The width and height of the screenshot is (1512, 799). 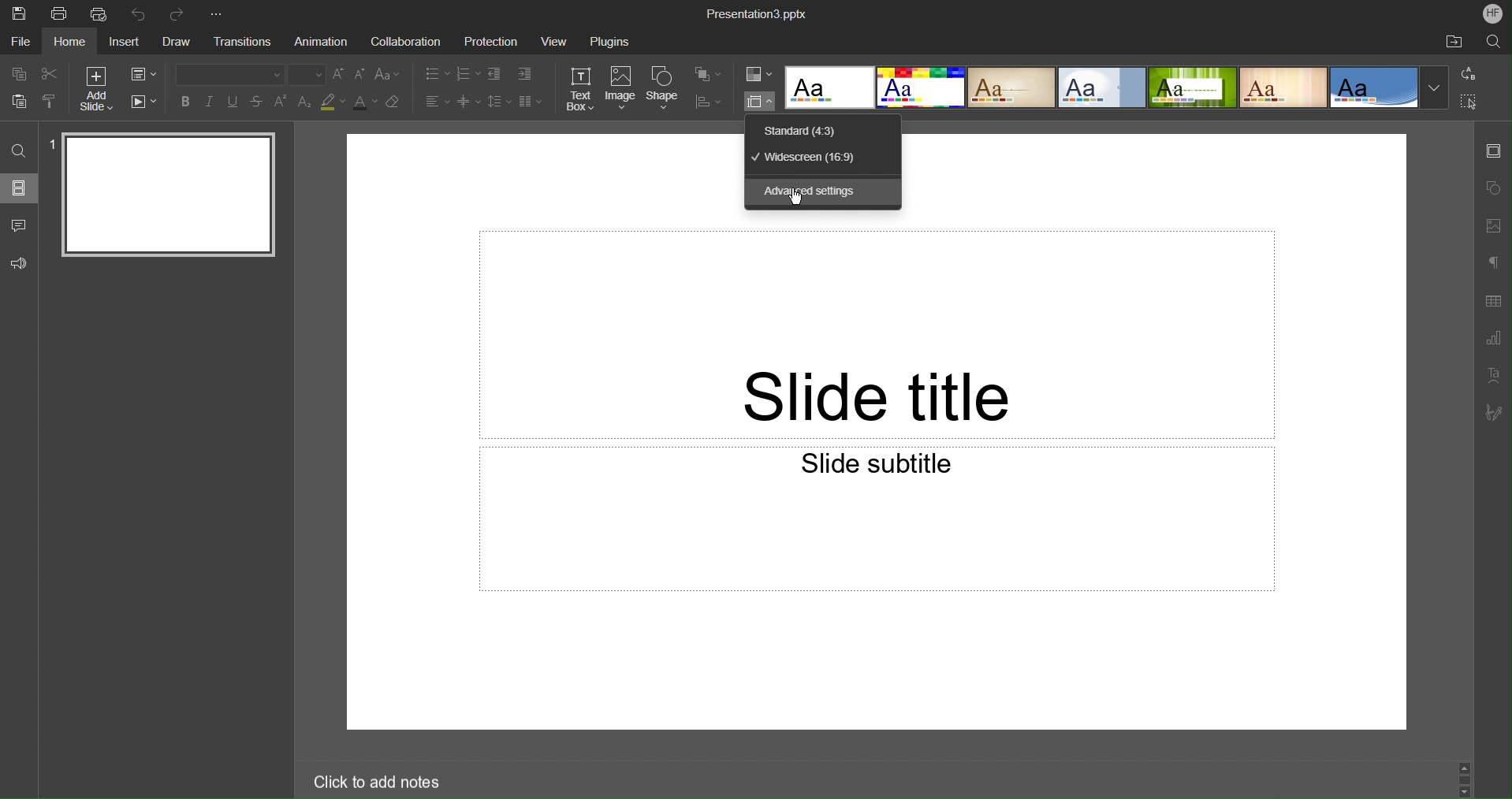 I want to click on Draw, so click(x=177, y=43).